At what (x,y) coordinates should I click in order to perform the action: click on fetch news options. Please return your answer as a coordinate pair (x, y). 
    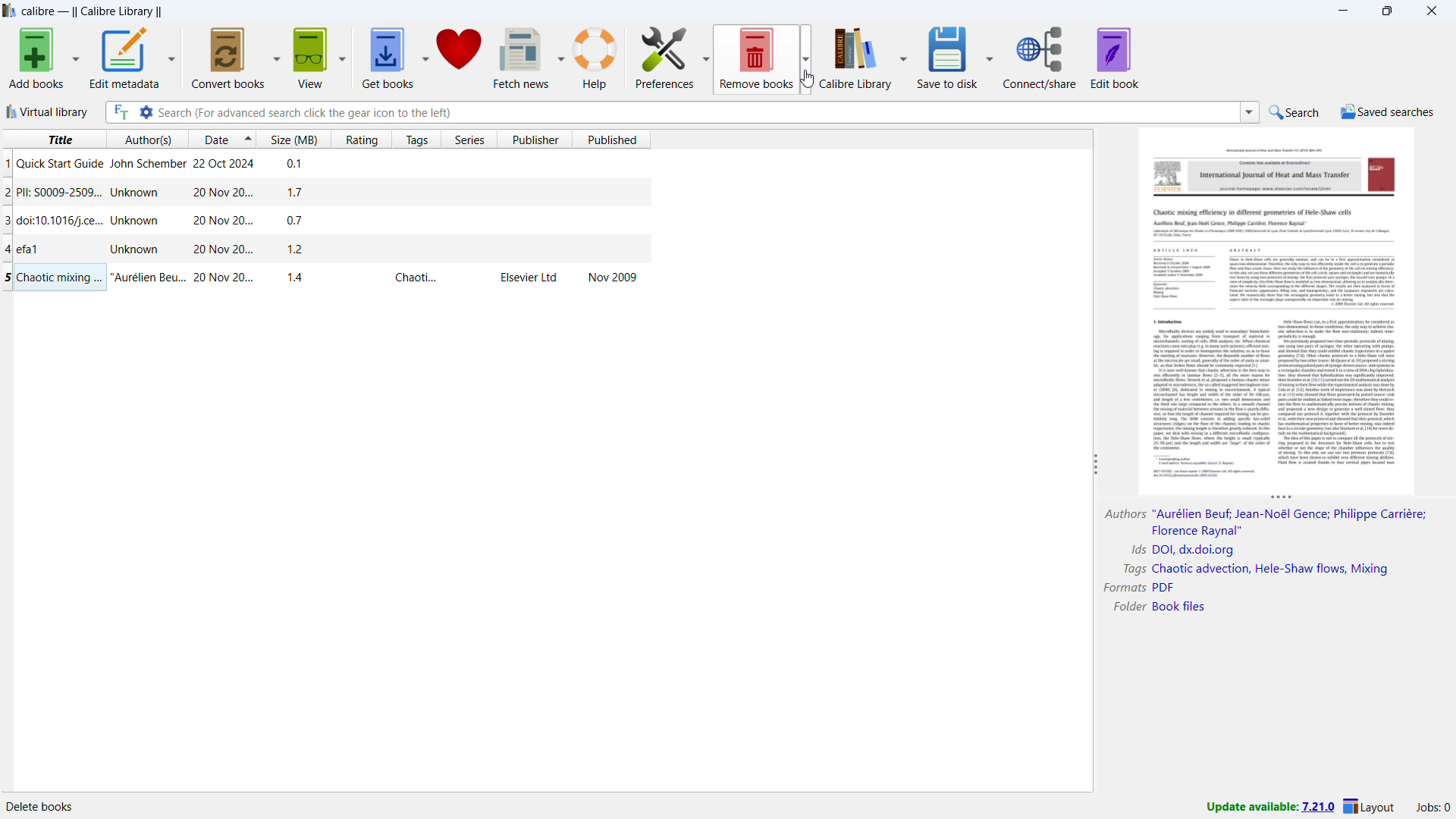
    Looking at the image, I should click on (560, 58).